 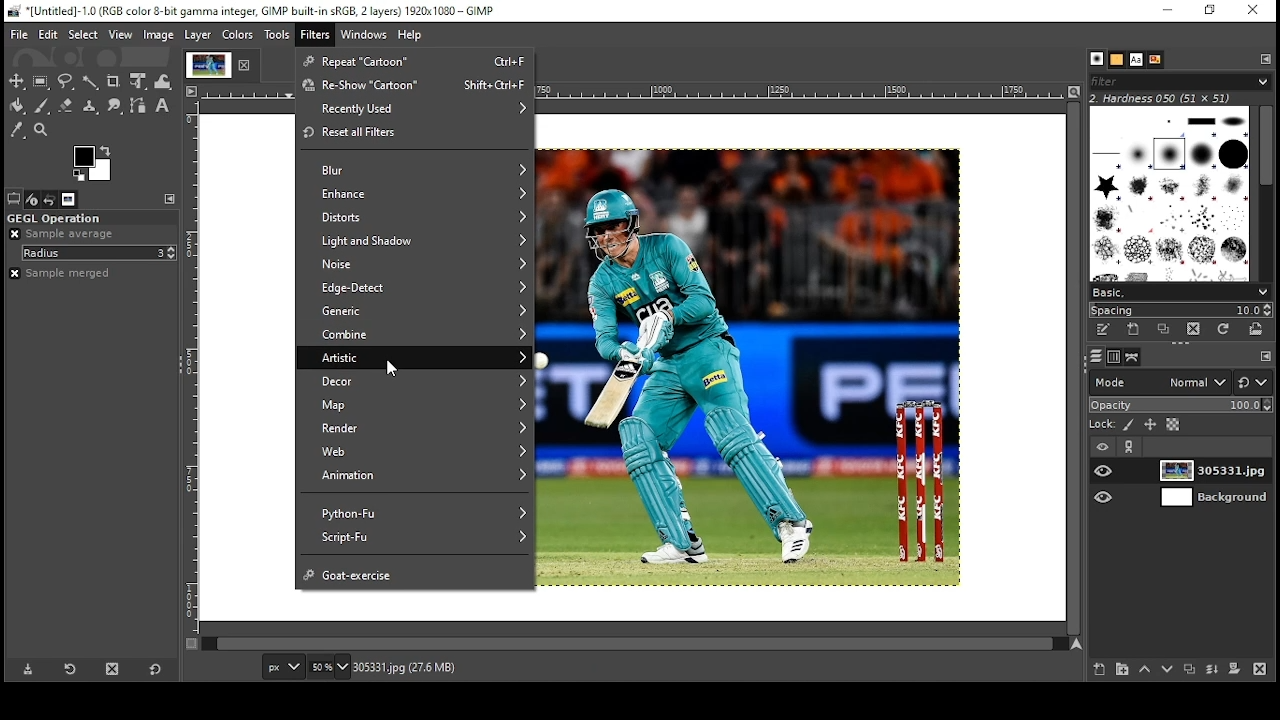 I want to click on reshow, so click(x=414, y=85).